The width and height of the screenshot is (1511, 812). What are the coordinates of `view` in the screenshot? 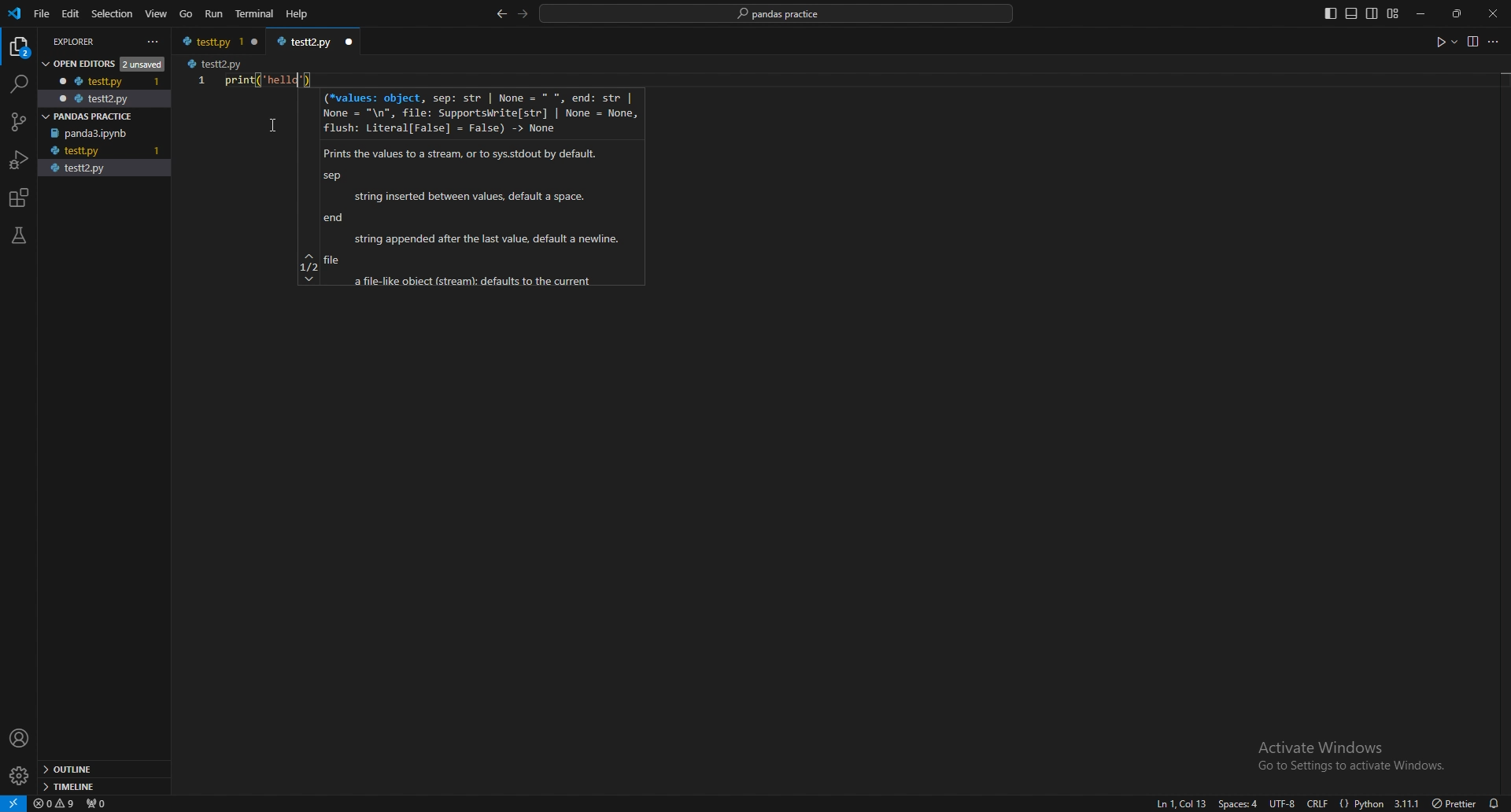 It's located at (1472, 41).